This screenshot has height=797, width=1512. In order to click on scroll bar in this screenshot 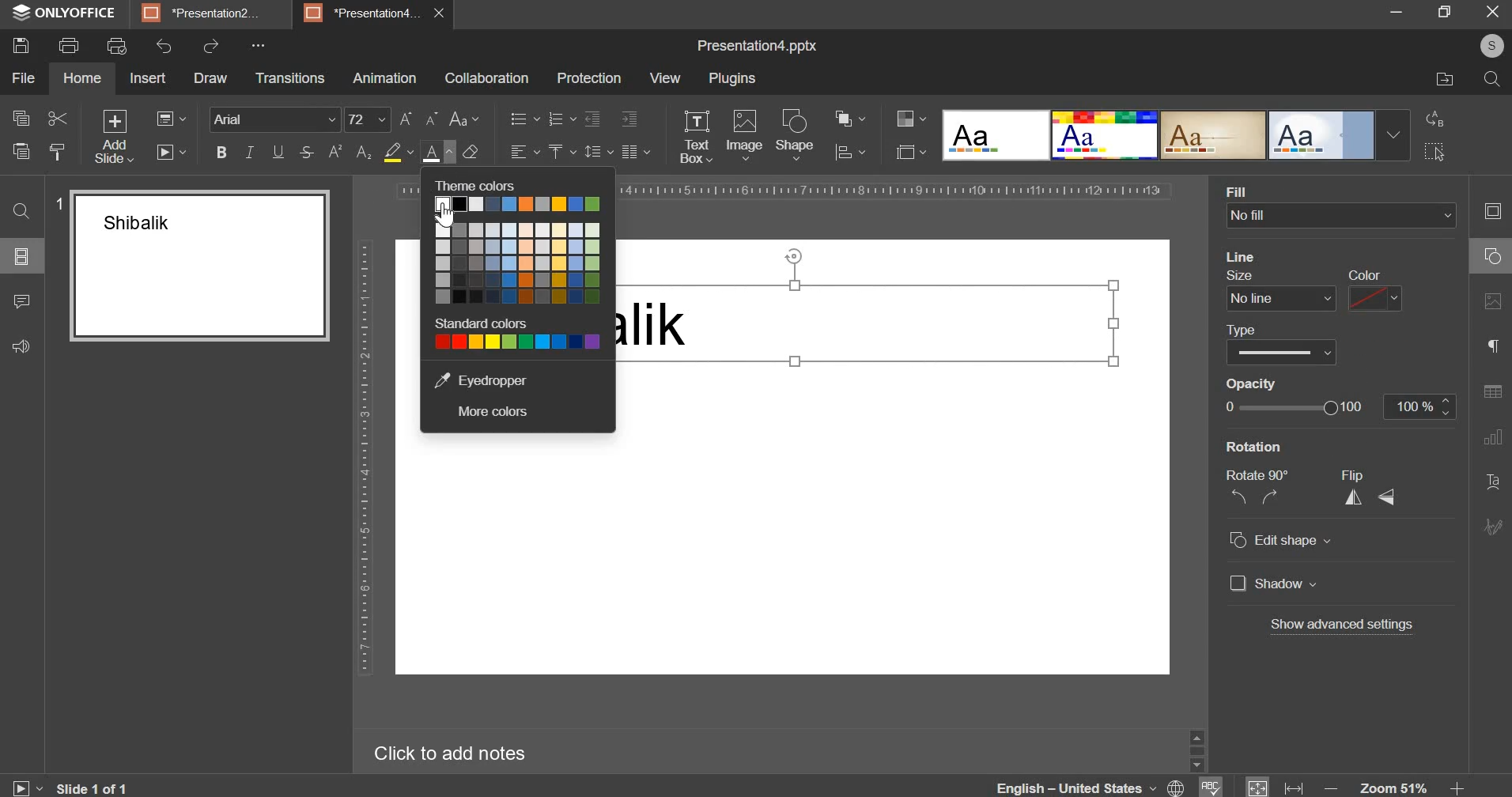, I will do `click(1193, 749)`.